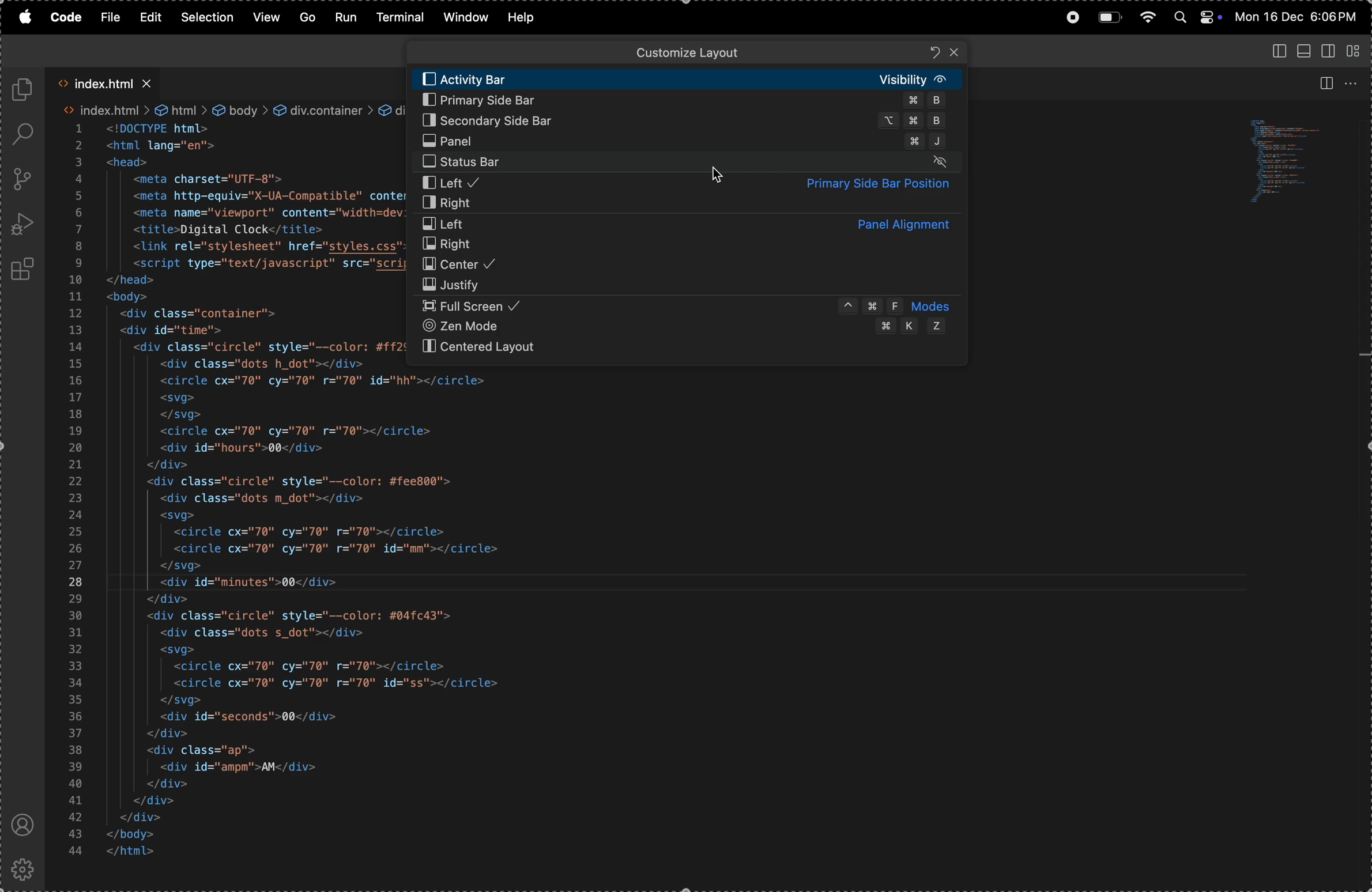  I want to click on file, so click(109, 16).